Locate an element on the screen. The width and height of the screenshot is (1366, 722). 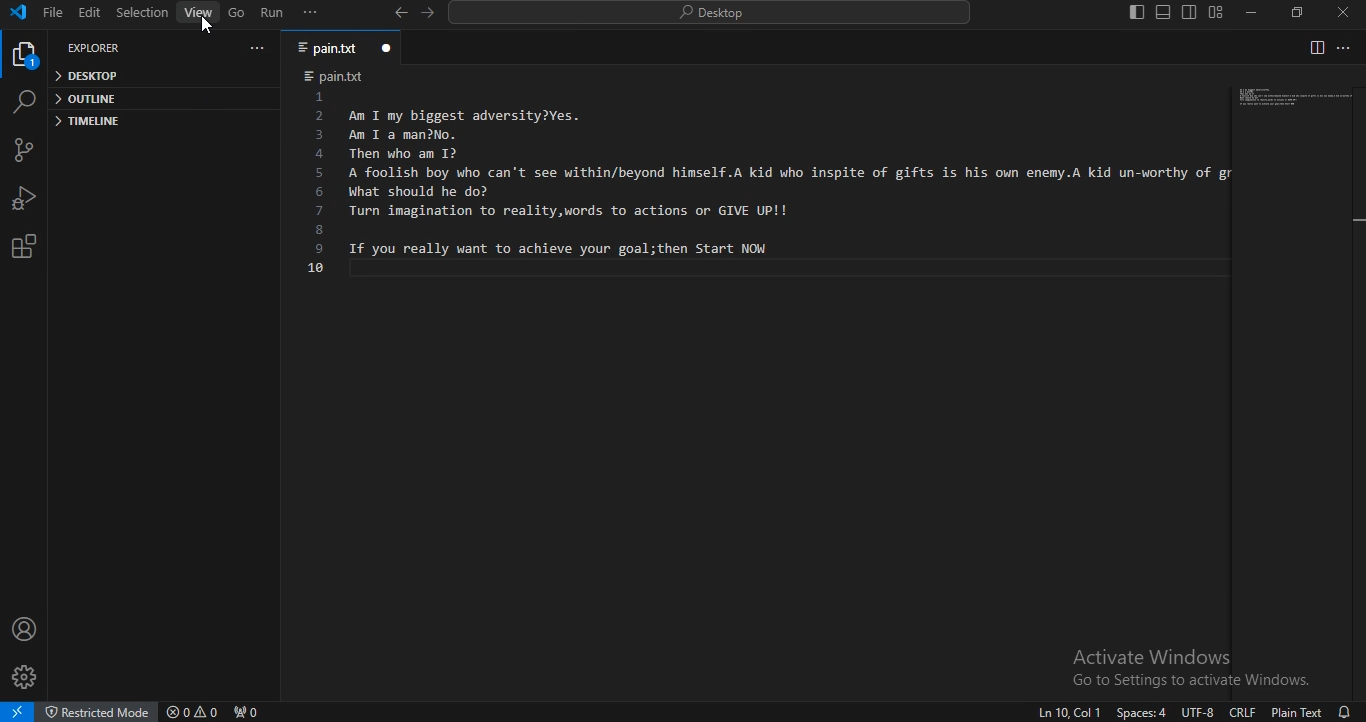
go back is located at coordinates (401, 12).